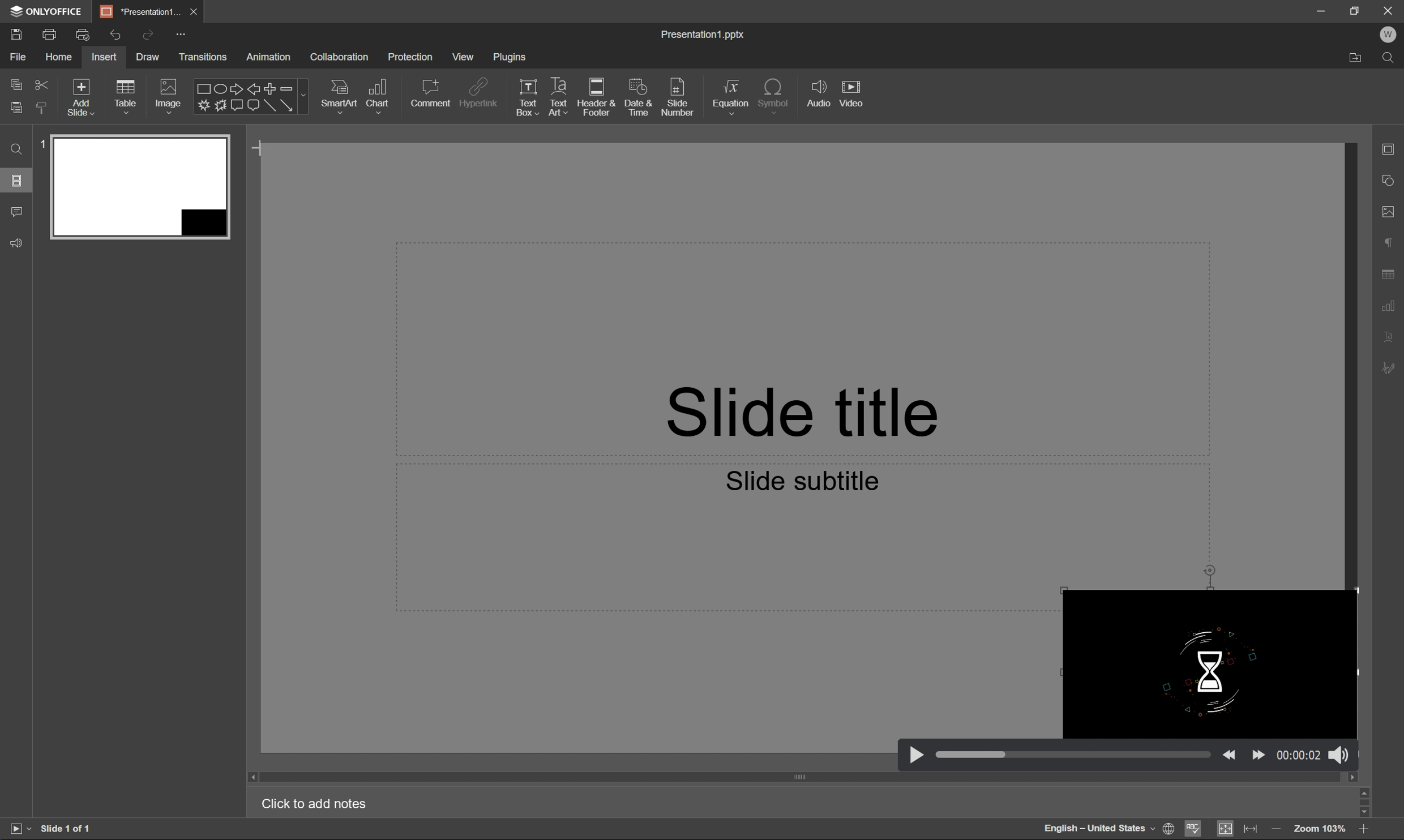  I want to click on print a file, so click(51, 32).